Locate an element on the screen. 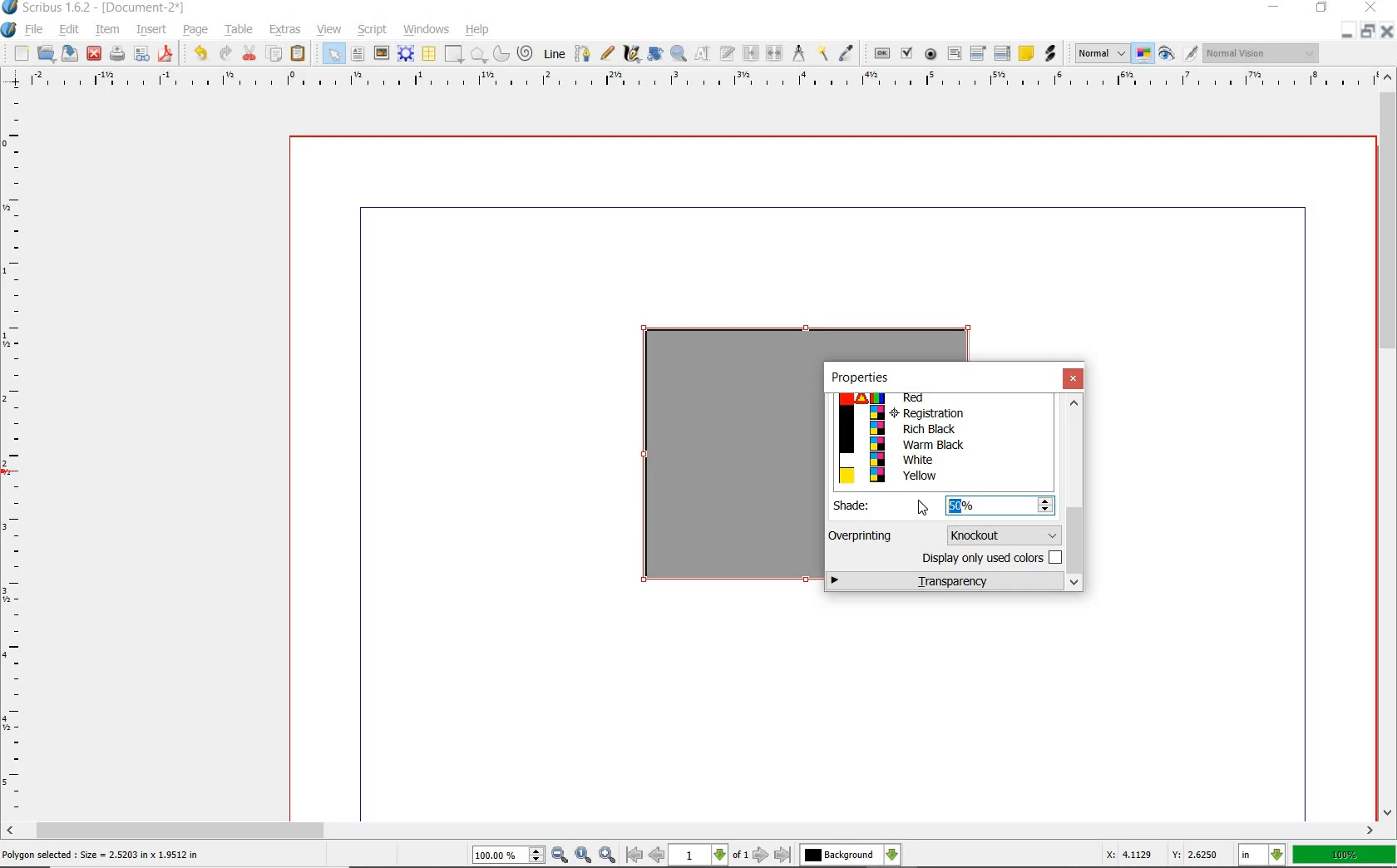 This screenshot has height=868, width=1397. unlink text frames is located at coordinates (775, 55).